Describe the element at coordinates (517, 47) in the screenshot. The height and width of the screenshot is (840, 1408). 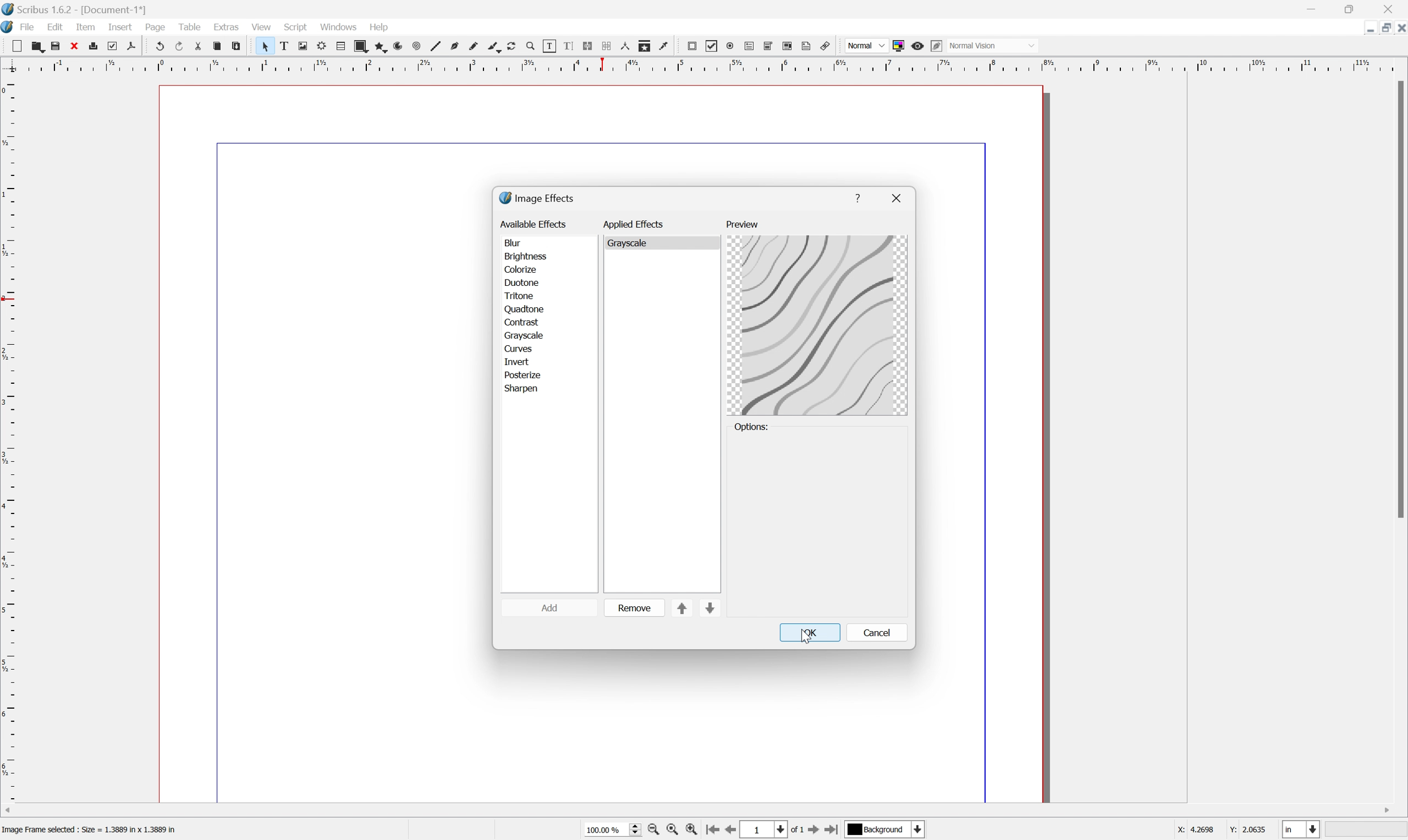
I see `Rotate item` at that location.